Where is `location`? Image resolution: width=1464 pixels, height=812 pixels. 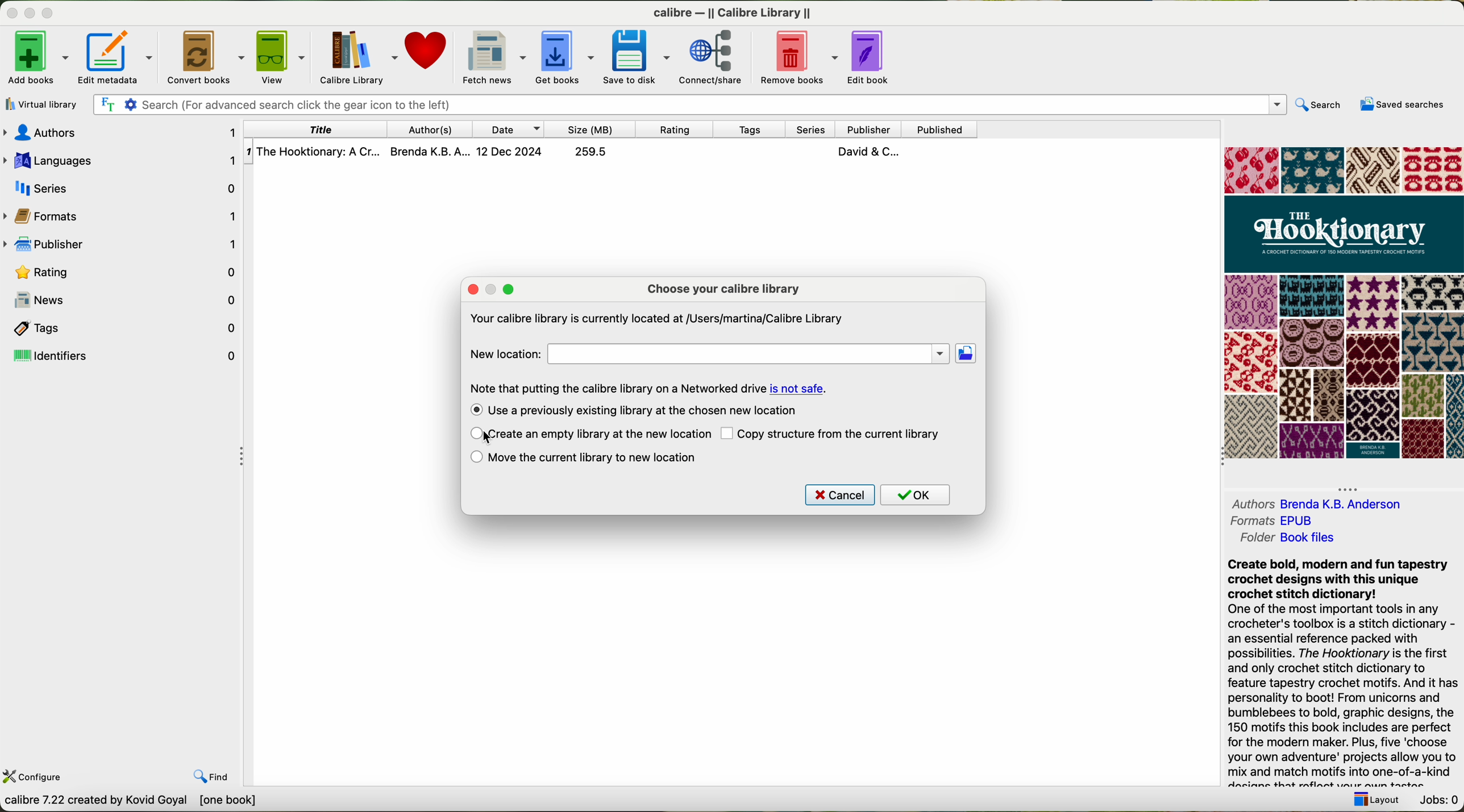 location is located at coordinates (971, 356).